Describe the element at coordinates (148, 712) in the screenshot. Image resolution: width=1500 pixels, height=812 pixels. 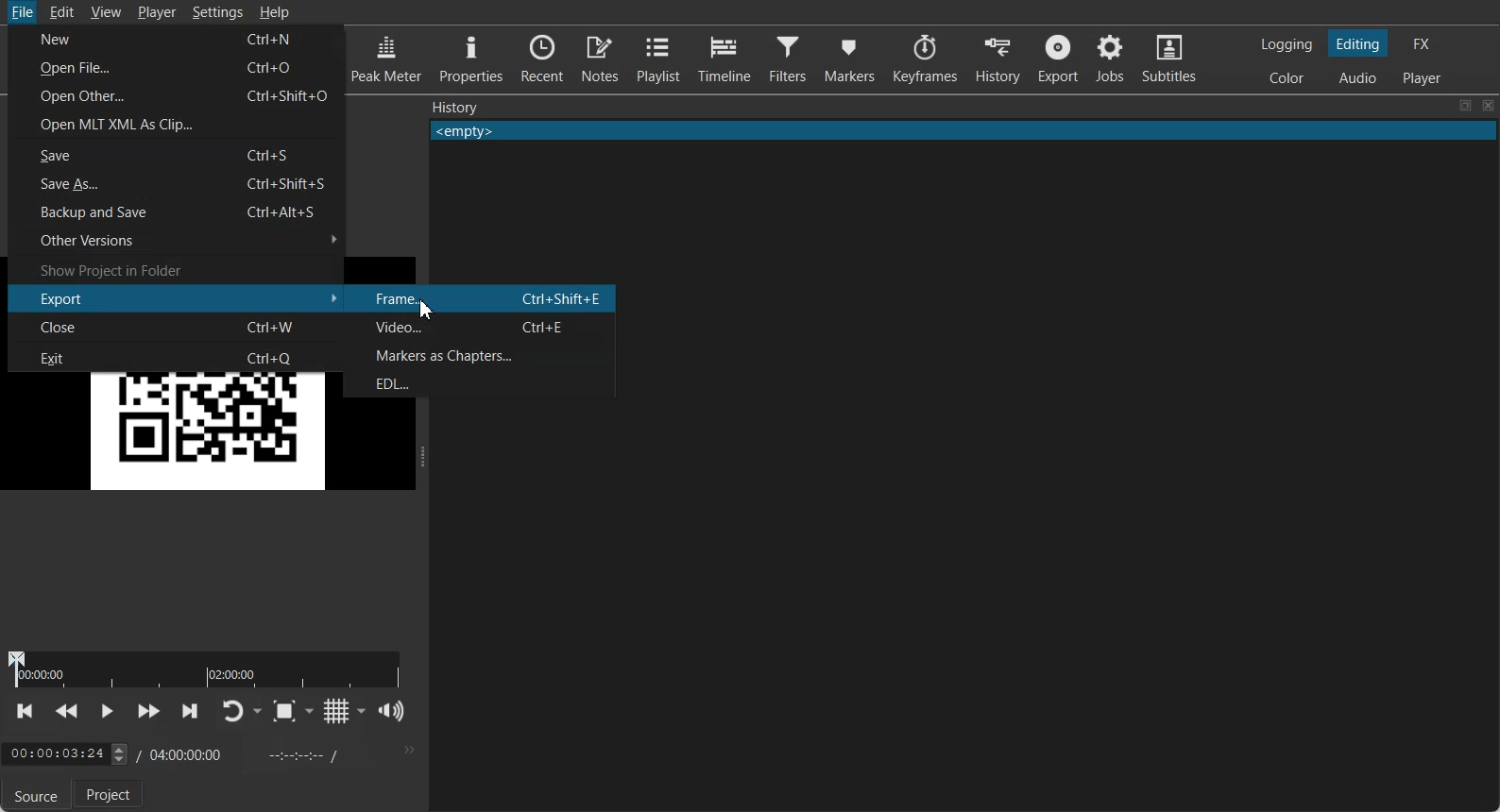
I see `Play Quickly Forward` at that location.